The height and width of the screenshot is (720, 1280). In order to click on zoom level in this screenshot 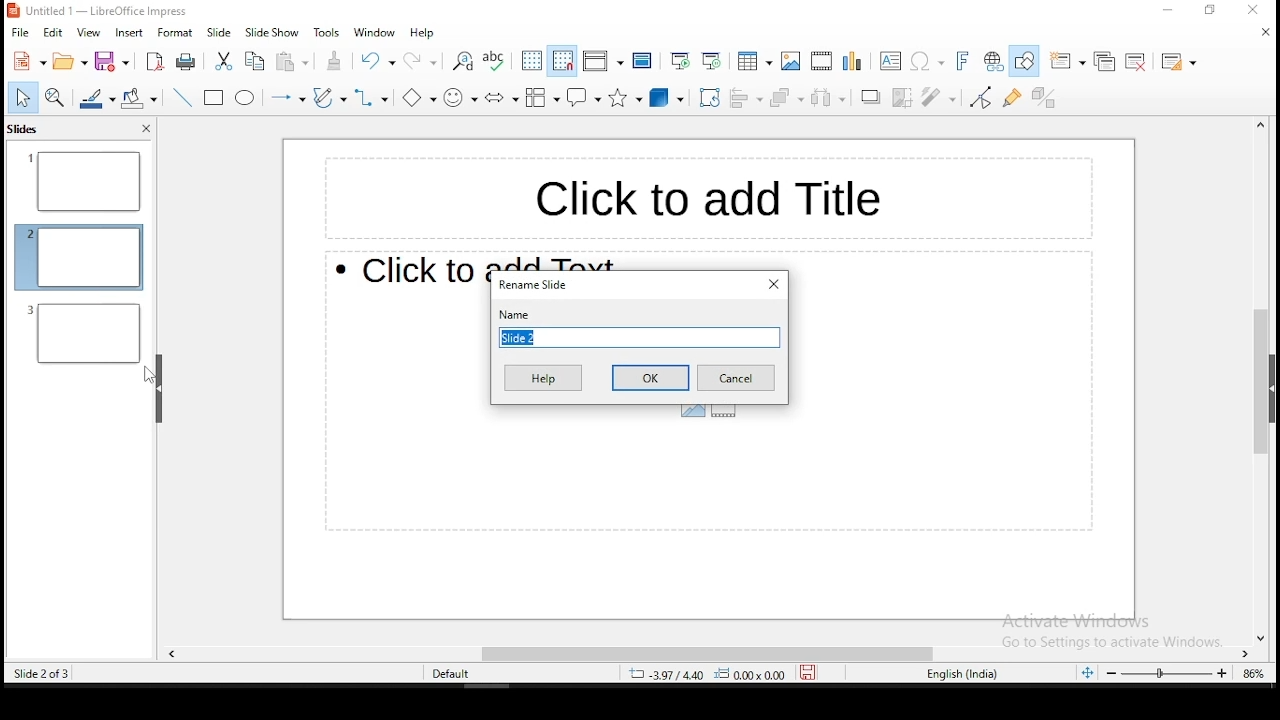, I will do `click(1253, 672)`.